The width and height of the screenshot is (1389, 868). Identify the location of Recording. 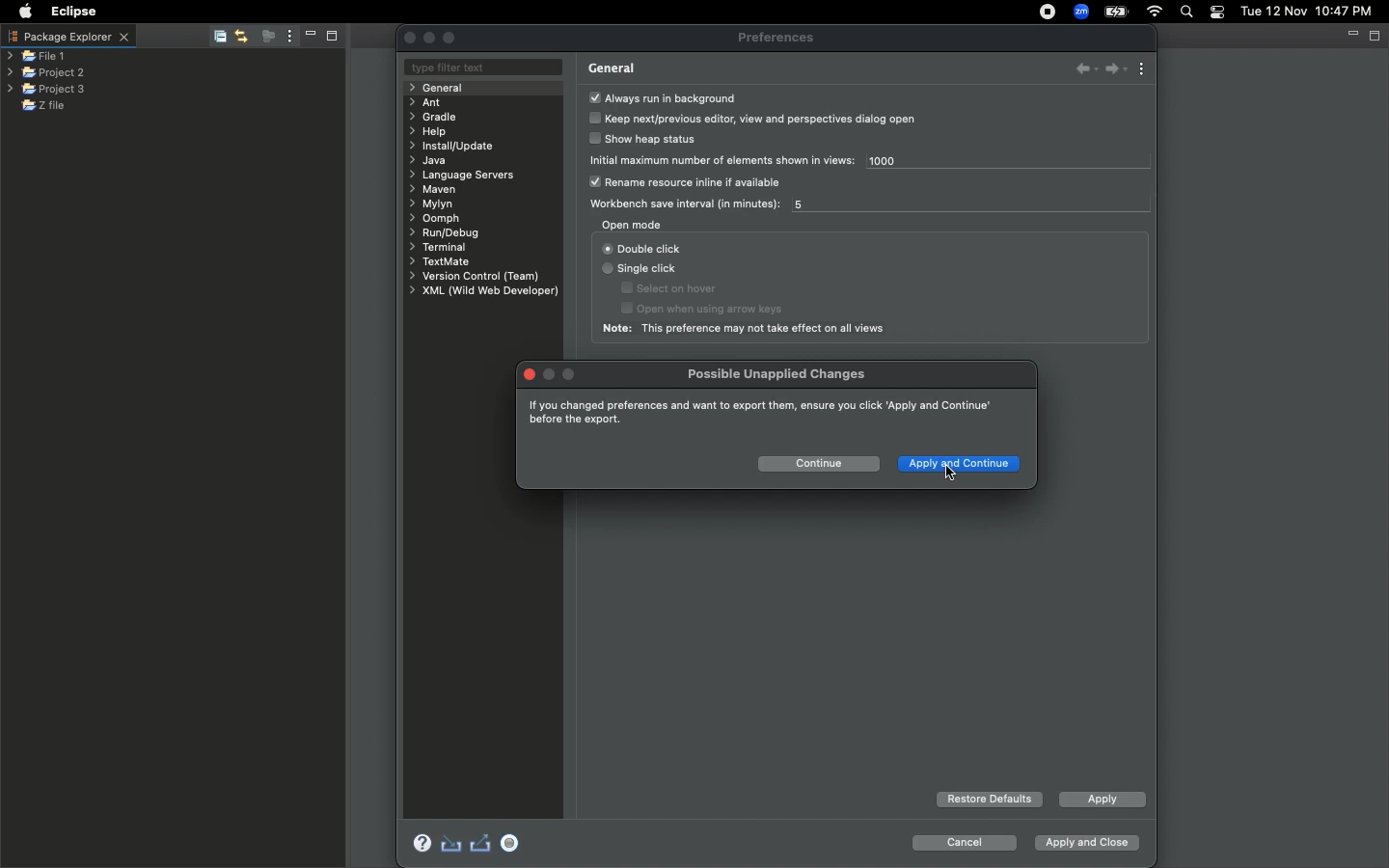
(1049, 14).